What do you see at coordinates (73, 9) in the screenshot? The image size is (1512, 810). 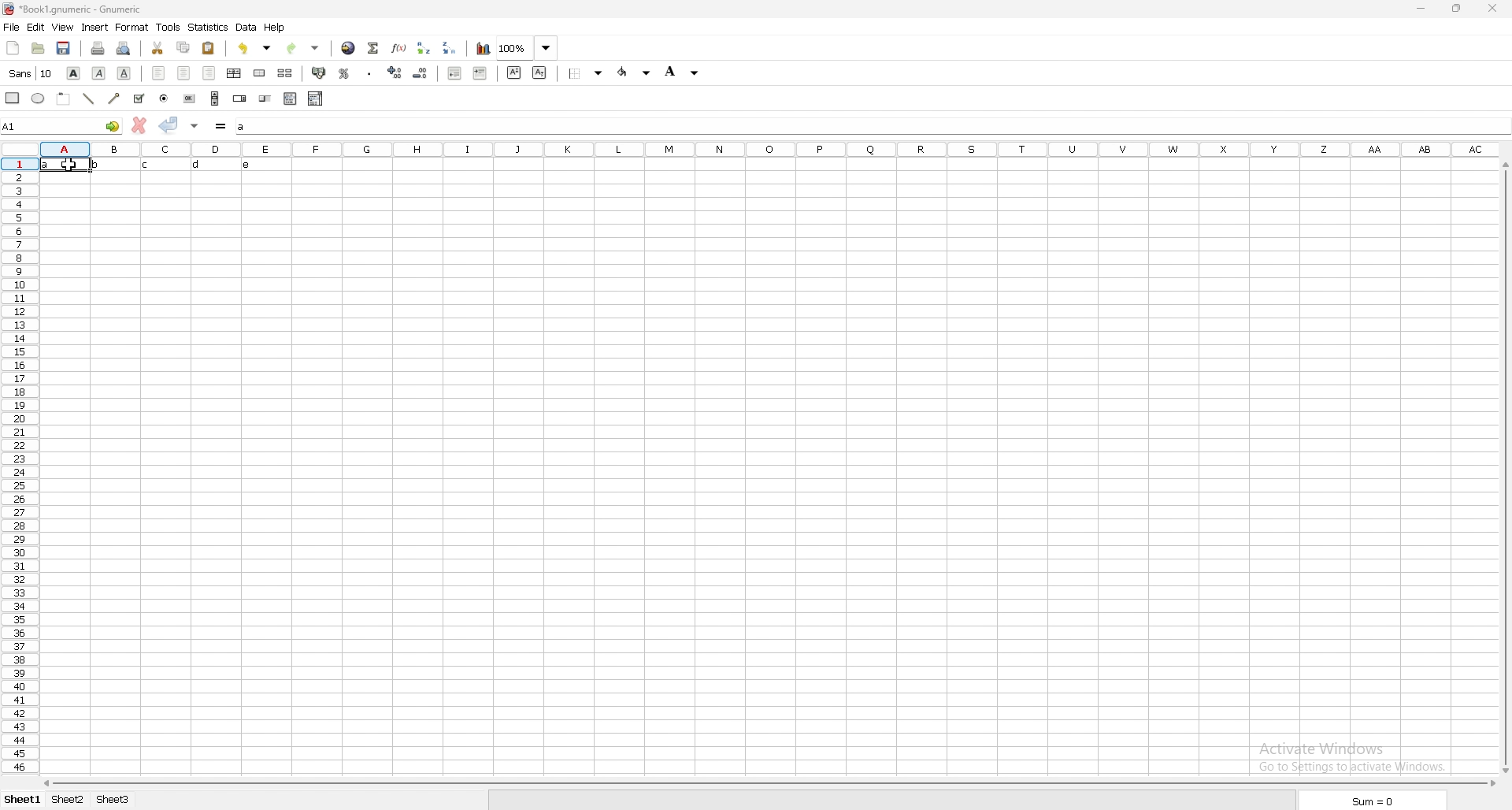 I see `file name` at bounding box center [73, 9].